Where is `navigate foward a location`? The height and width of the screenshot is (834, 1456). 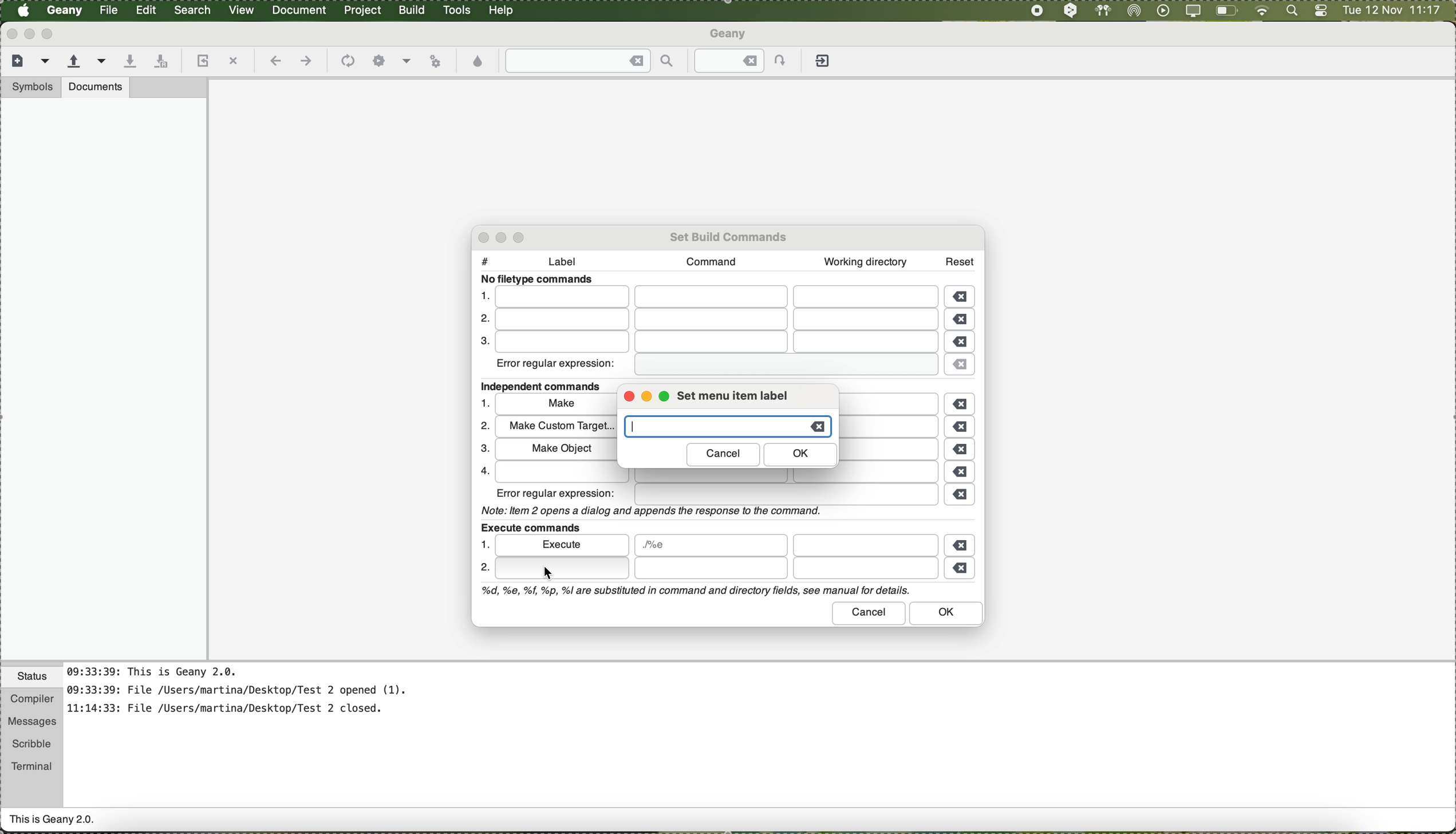 navigate foward a location is located at coordinates (305, 61).